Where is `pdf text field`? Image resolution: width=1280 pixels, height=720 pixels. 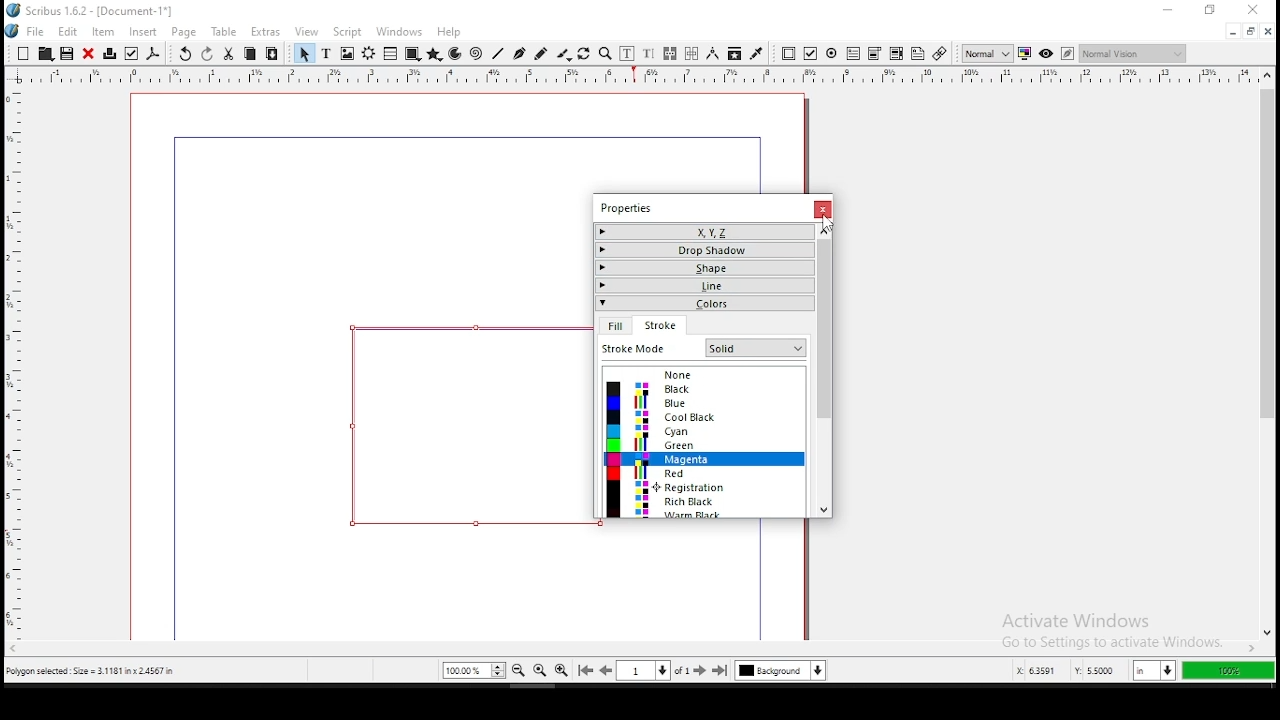
pdf text field is located at coordinates (854, 54).